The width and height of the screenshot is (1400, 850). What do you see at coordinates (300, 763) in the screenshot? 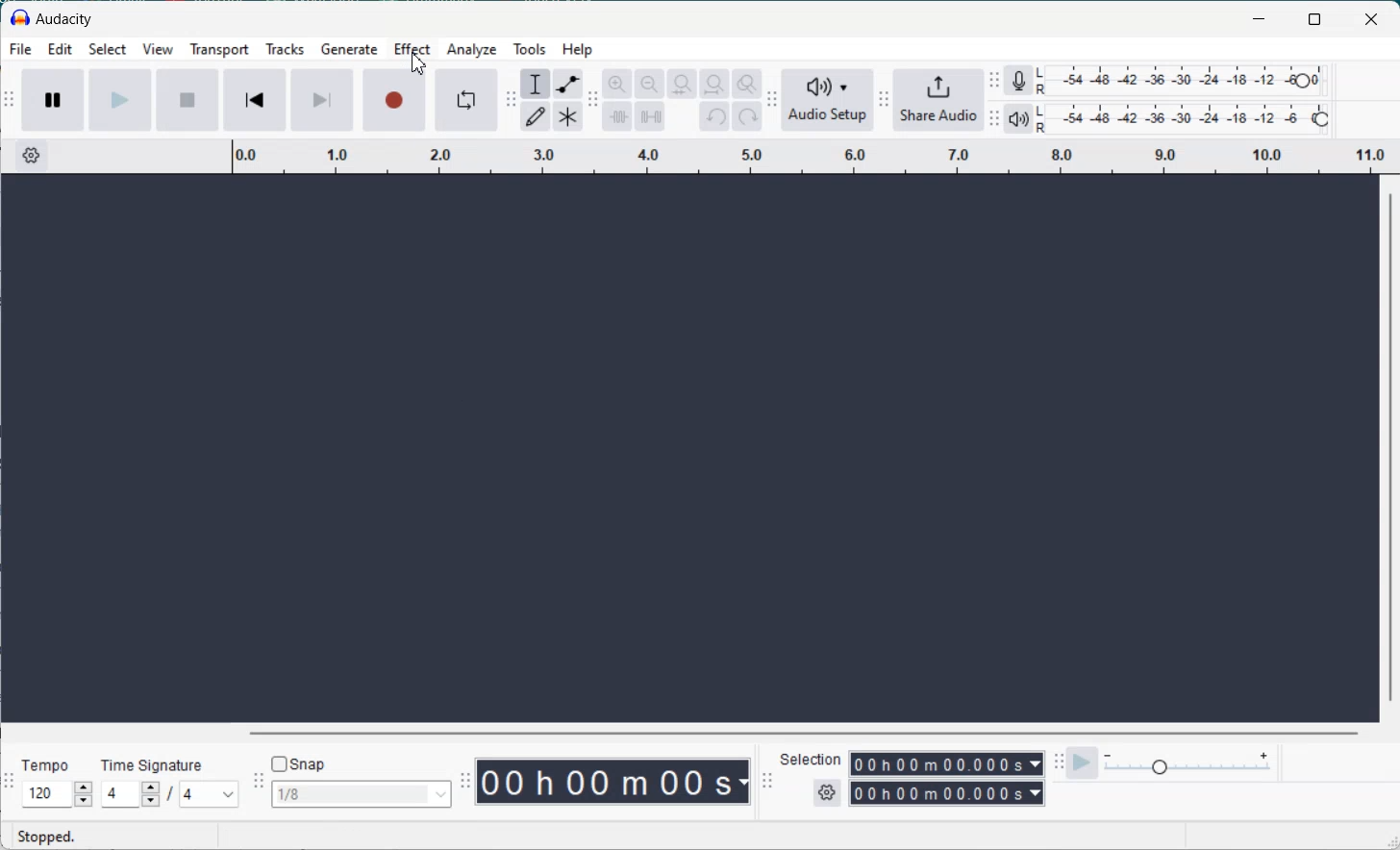
I see `Snap Checklist` at bounding box center [300, 763].